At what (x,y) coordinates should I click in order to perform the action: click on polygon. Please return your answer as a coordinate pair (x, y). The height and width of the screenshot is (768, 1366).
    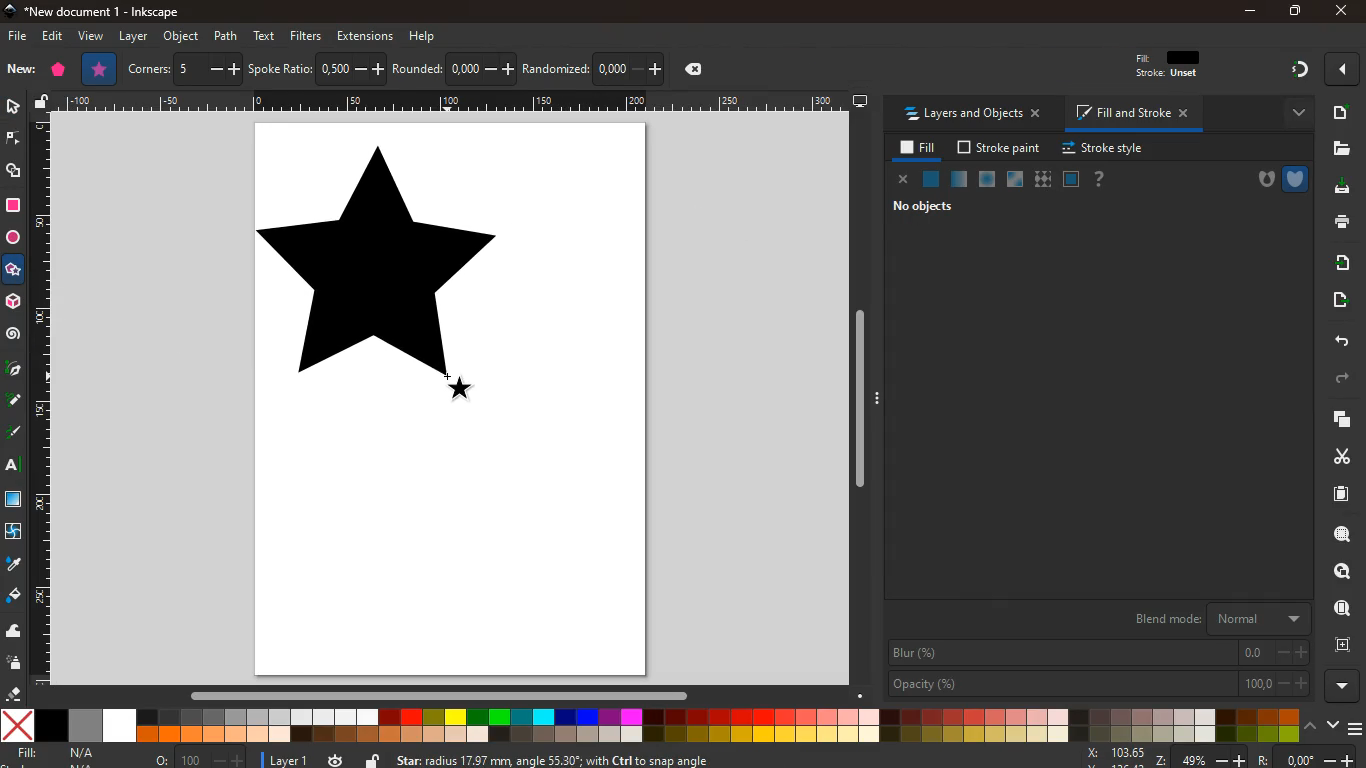
    Looking at the image, I should click on (59, 71).